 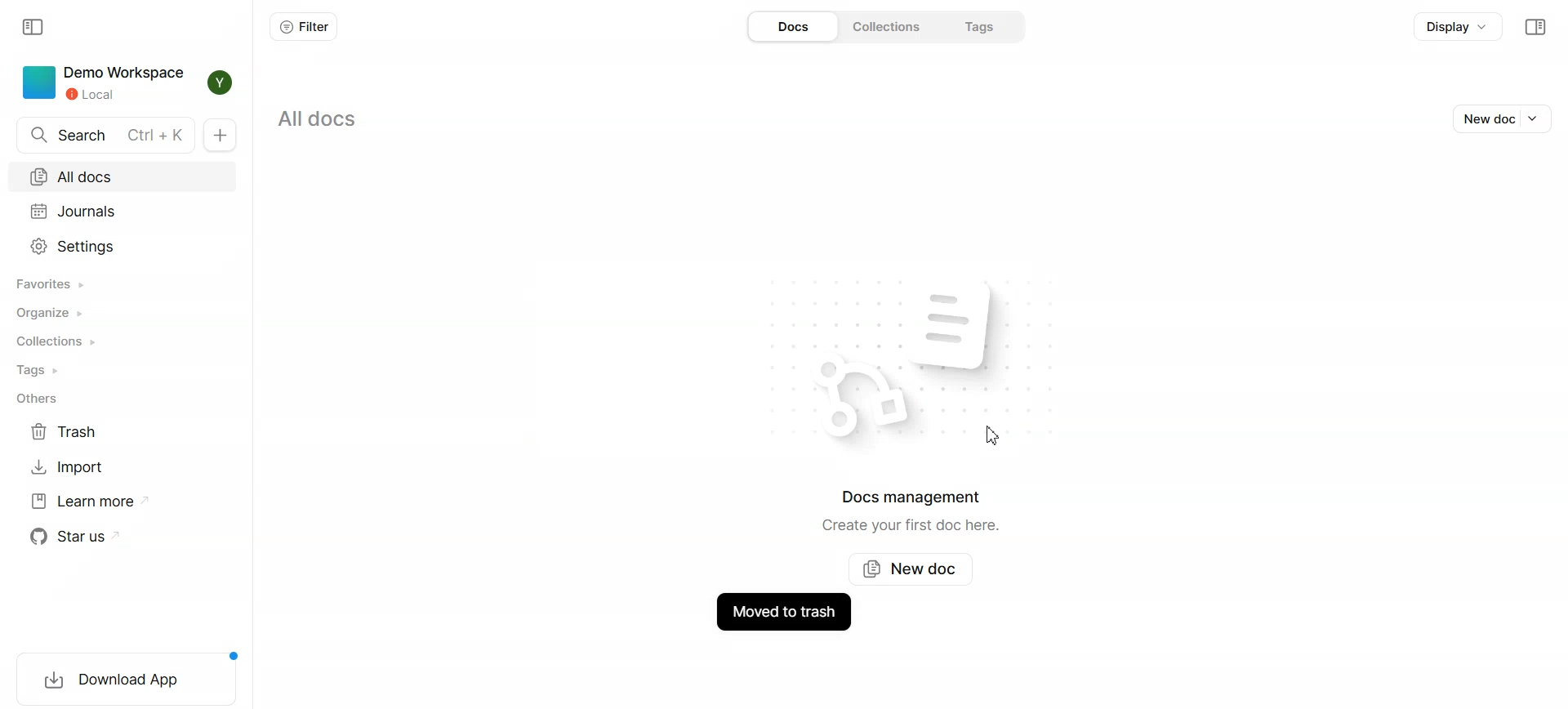 I want to click on file logo, so click(x=982, y=323).